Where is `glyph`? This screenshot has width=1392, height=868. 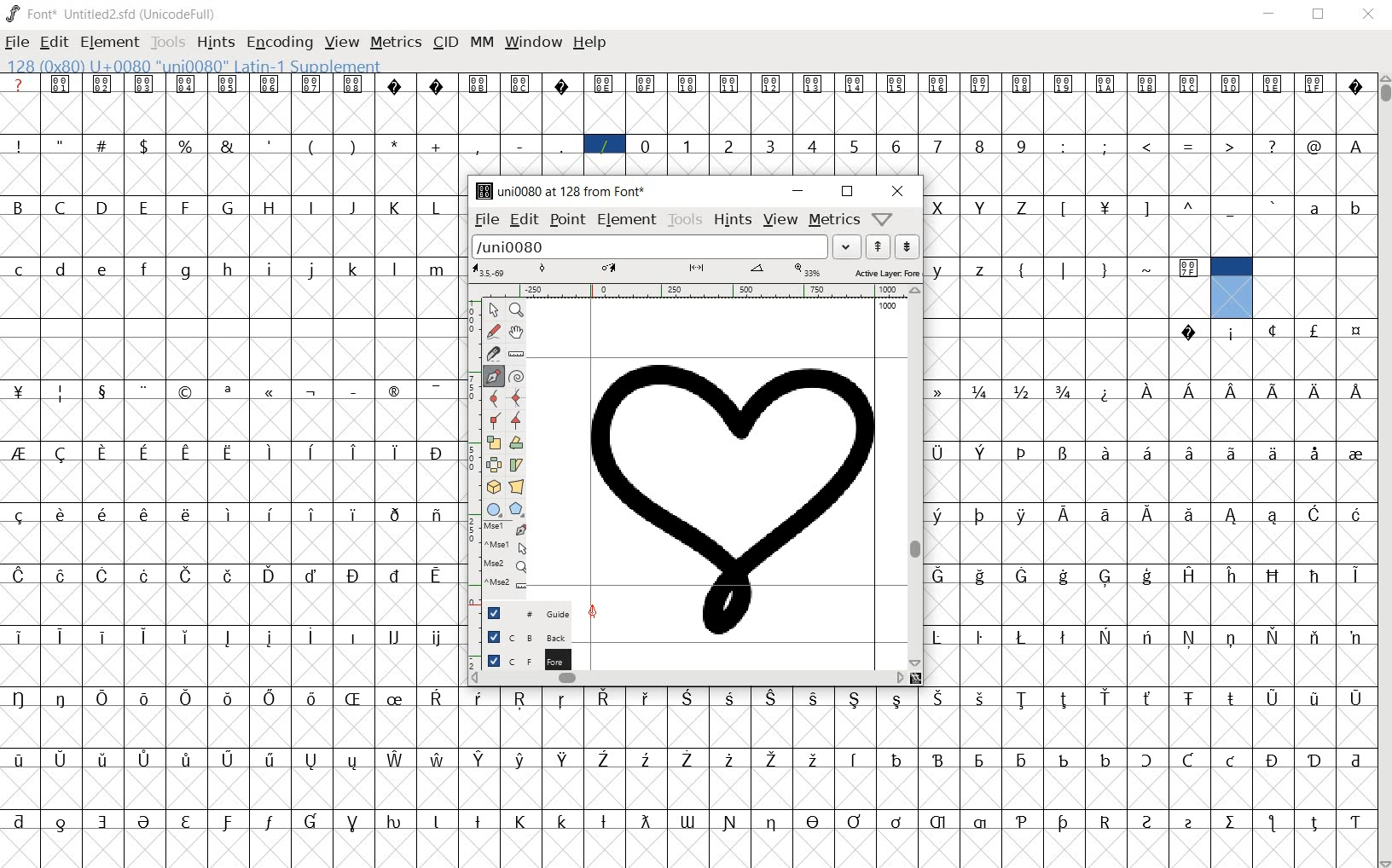 glyph is located at coordinates (687, 146).